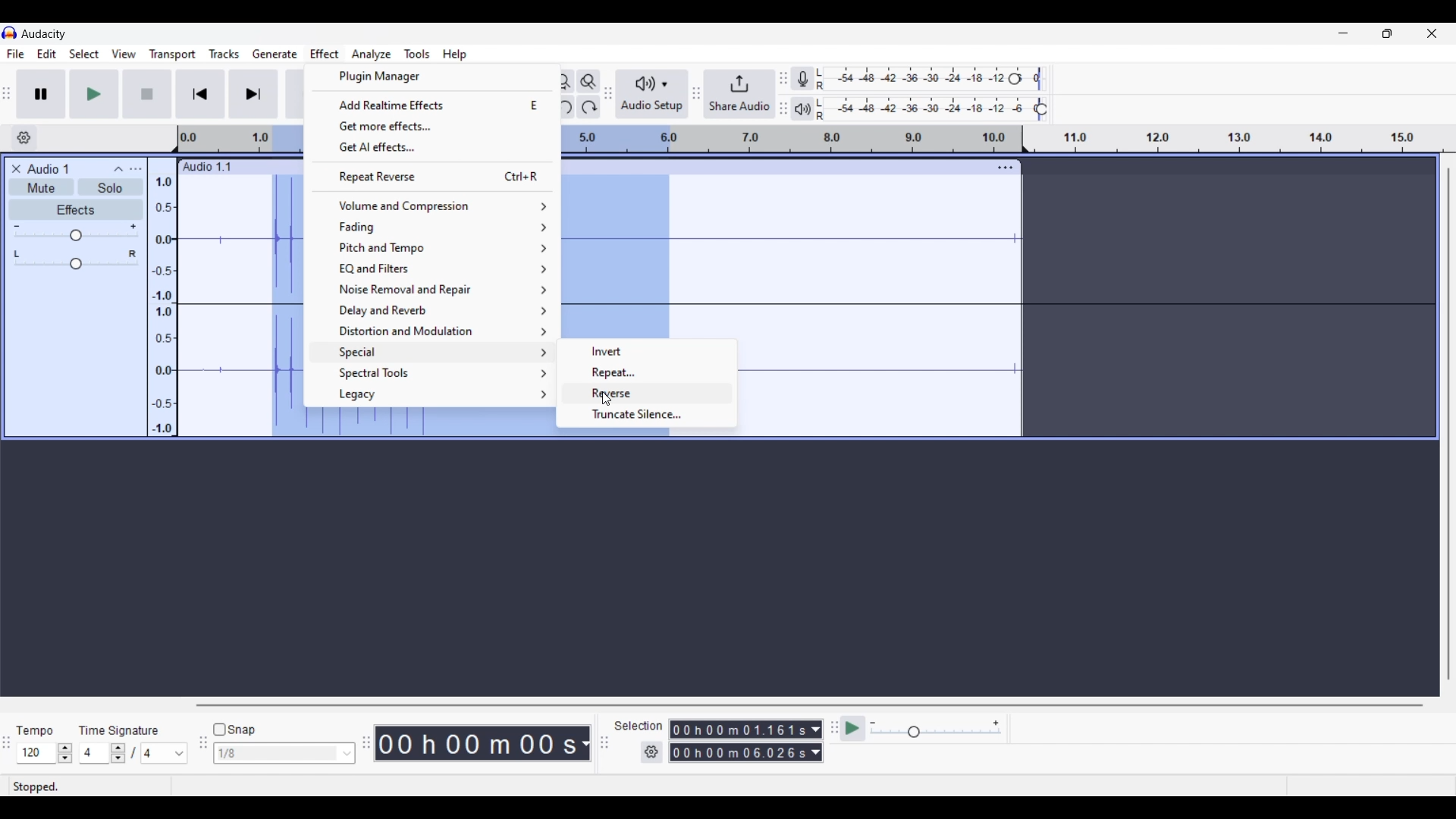 The image size is (1456, 819). Describe the element at coordinates (927, 109) in the screenshot. I see `Playback level` at that location.